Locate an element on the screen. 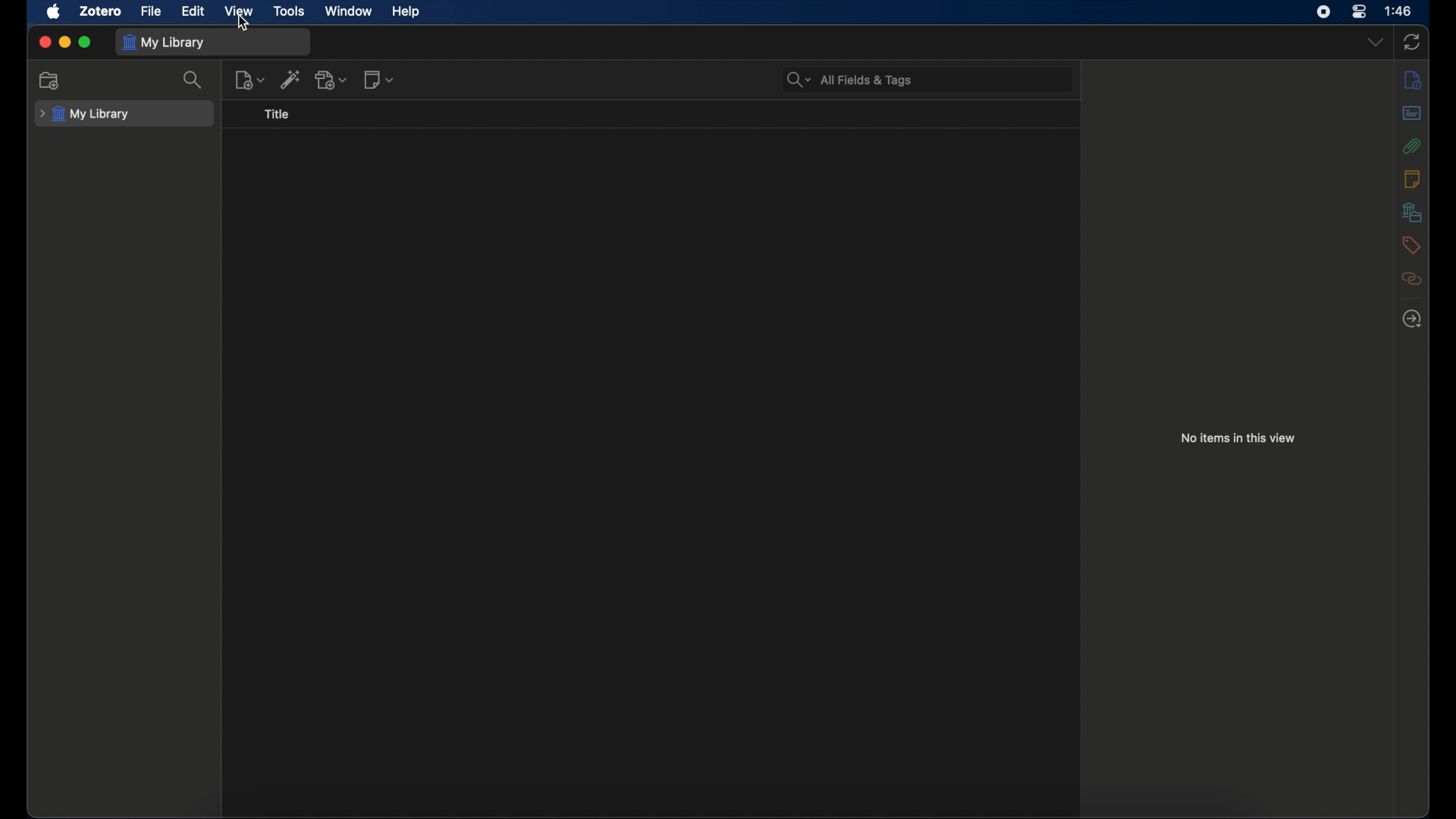  new collection is located at coordinates (49, 80).